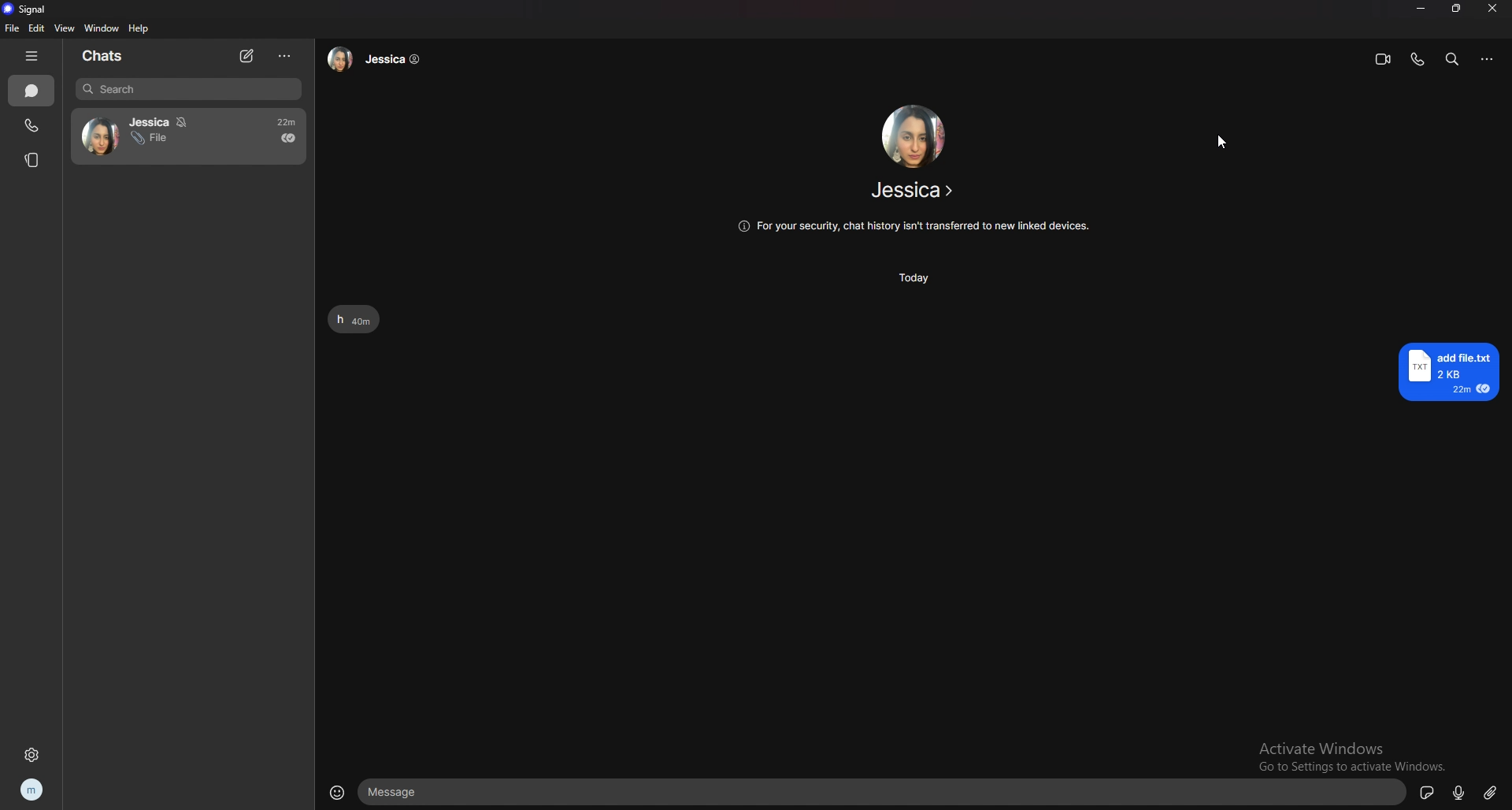 This screenshot has height=810, width=1512. What do you see at coordinates (288, 138) in the screenshot?
I see `seen` at bounding box center [288, 138].